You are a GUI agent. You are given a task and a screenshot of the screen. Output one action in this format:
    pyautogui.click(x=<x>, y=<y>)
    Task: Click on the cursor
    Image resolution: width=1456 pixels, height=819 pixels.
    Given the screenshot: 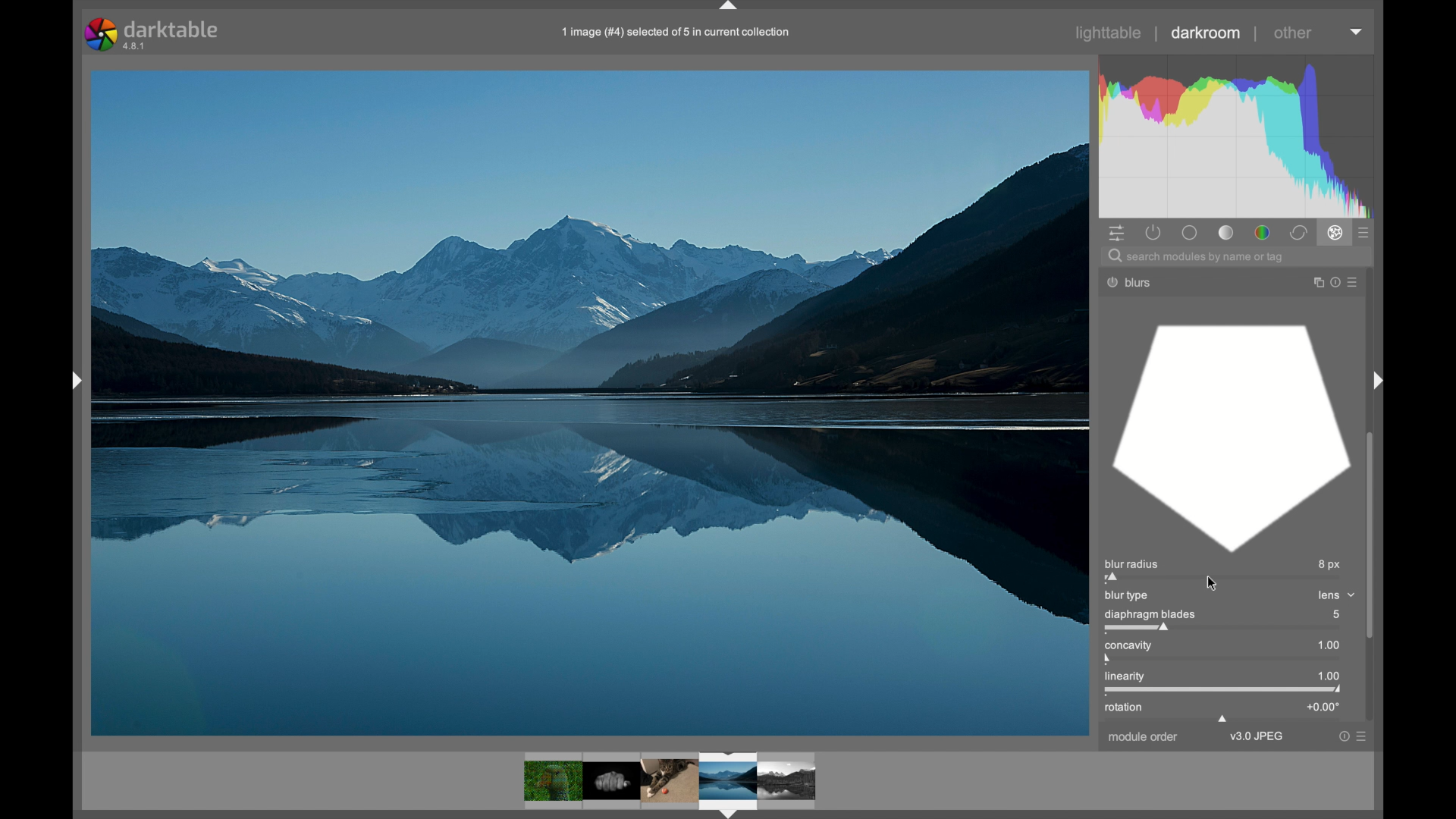 What is the action you would take?
    pyautogui.click(x=1213, y=582)
    